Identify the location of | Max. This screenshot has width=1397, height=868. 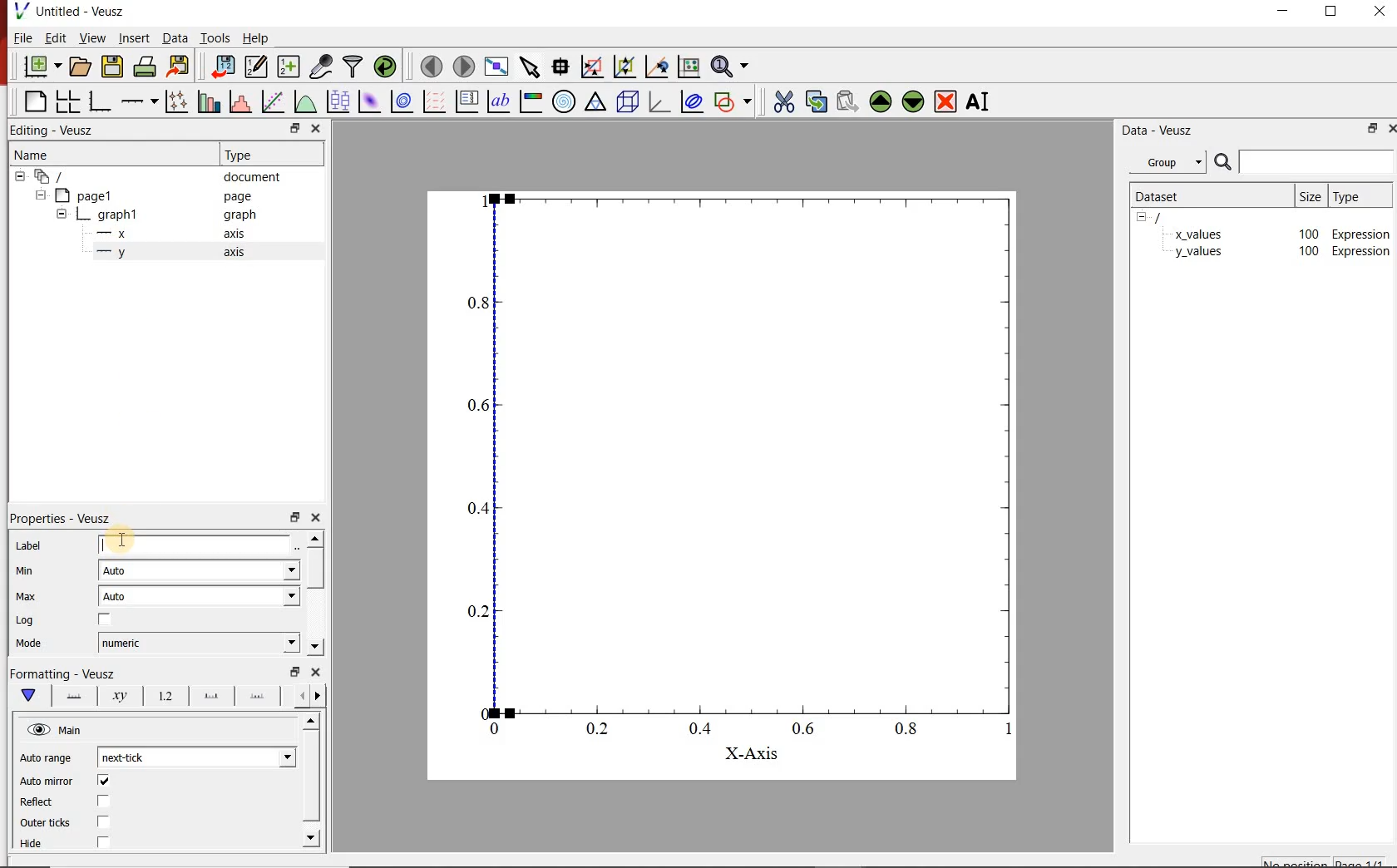
(27, 599).